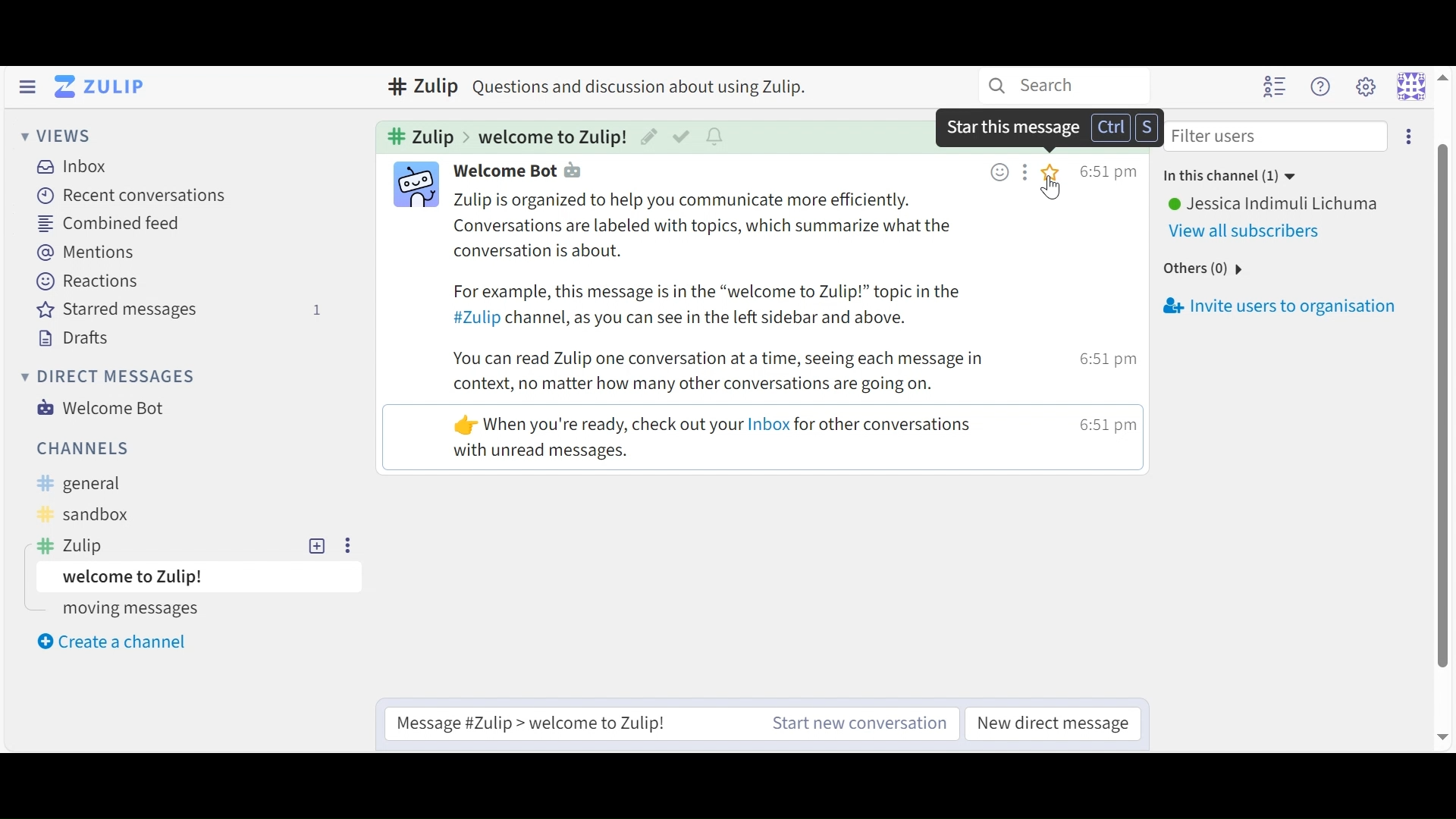  I want to click on text, so click(795, 298).